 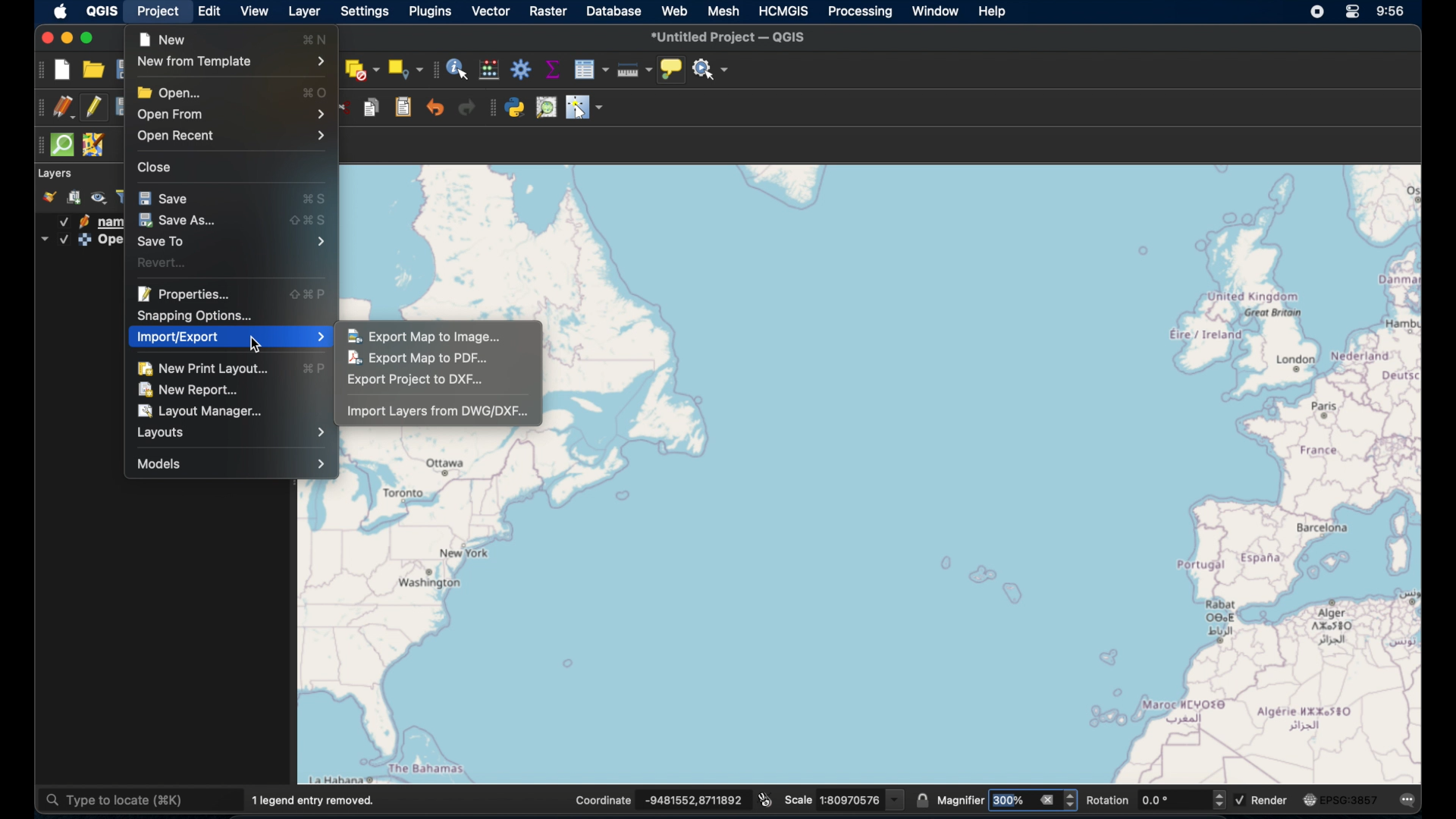 I want to click on untitled project - QGIS, so click(x=730, y=37).